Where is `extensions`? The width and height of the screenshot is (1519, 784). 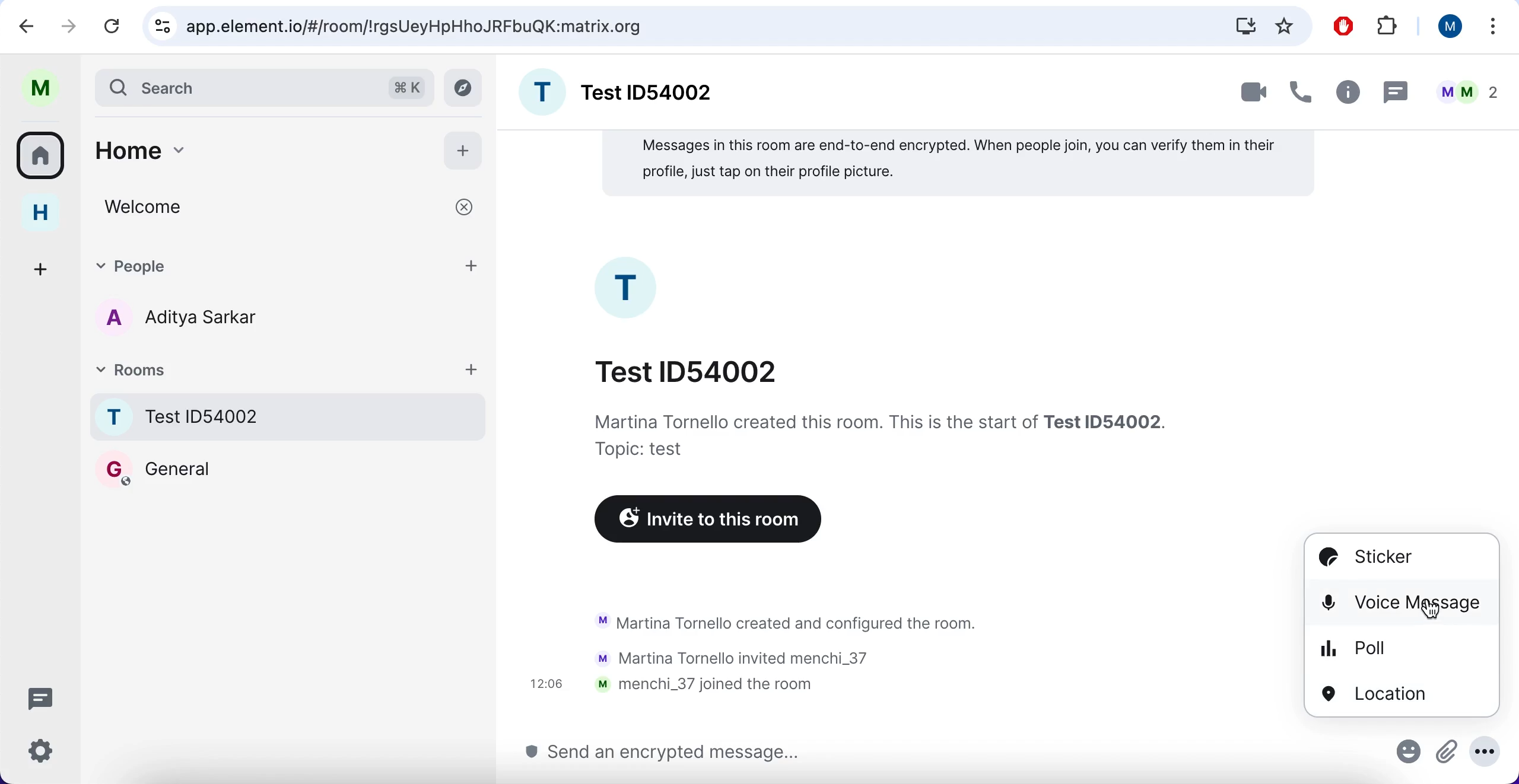 extensions is located at coordinates (1387, 25).